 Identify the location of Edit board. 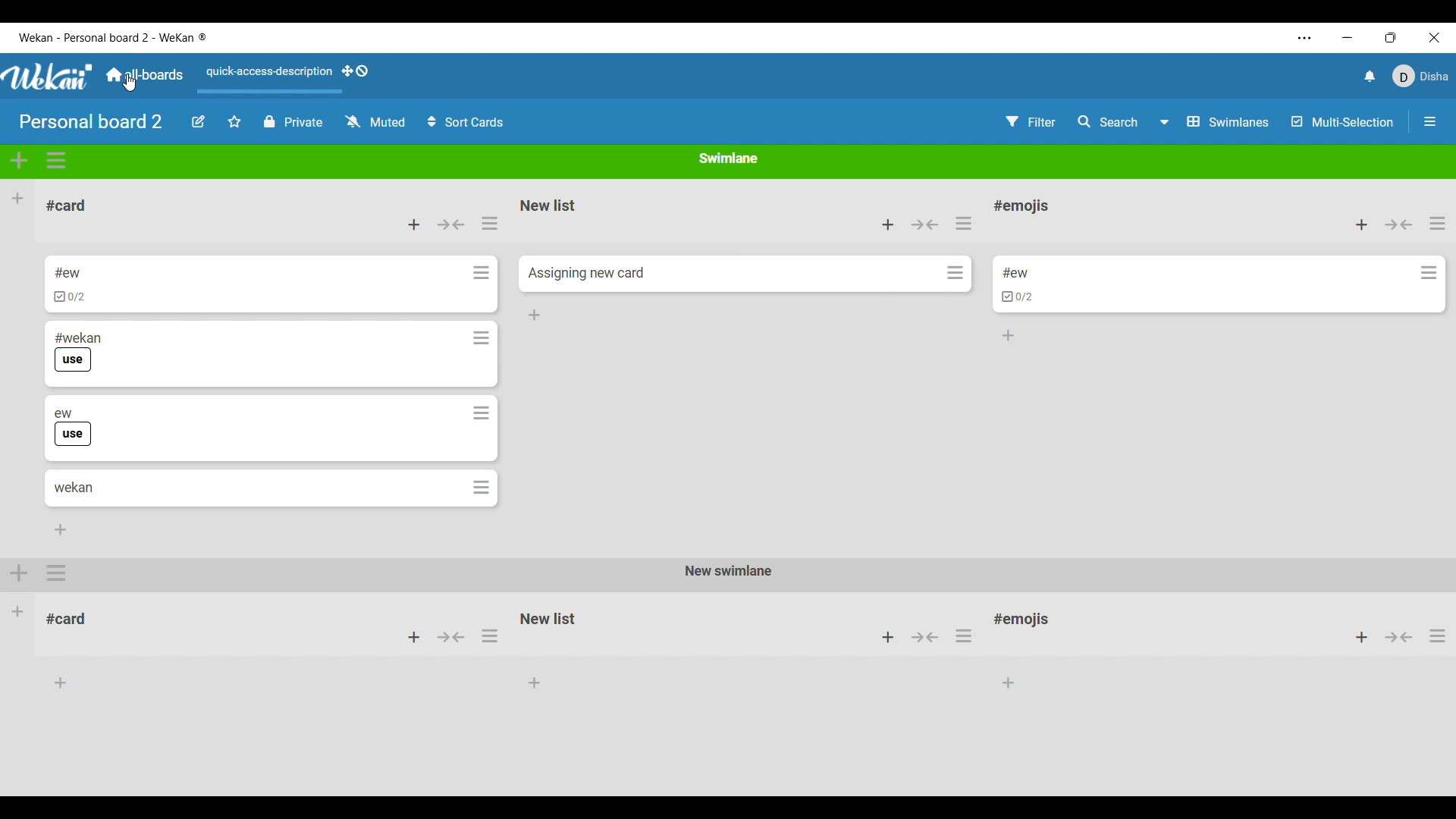
(198, 121).